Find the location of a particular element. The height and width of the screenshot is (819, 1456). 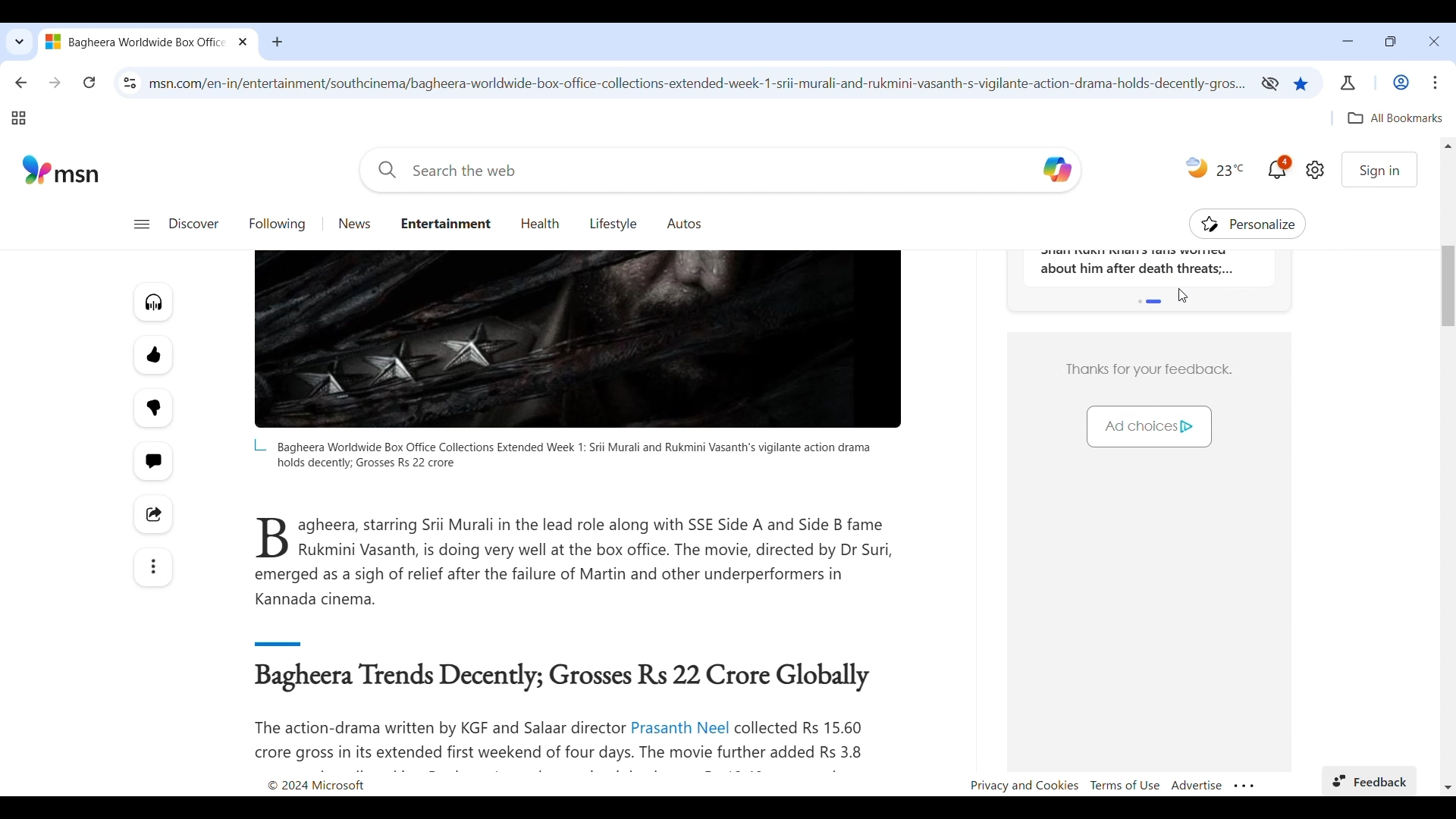

Current notifications is located at coordinates (1279, 167).